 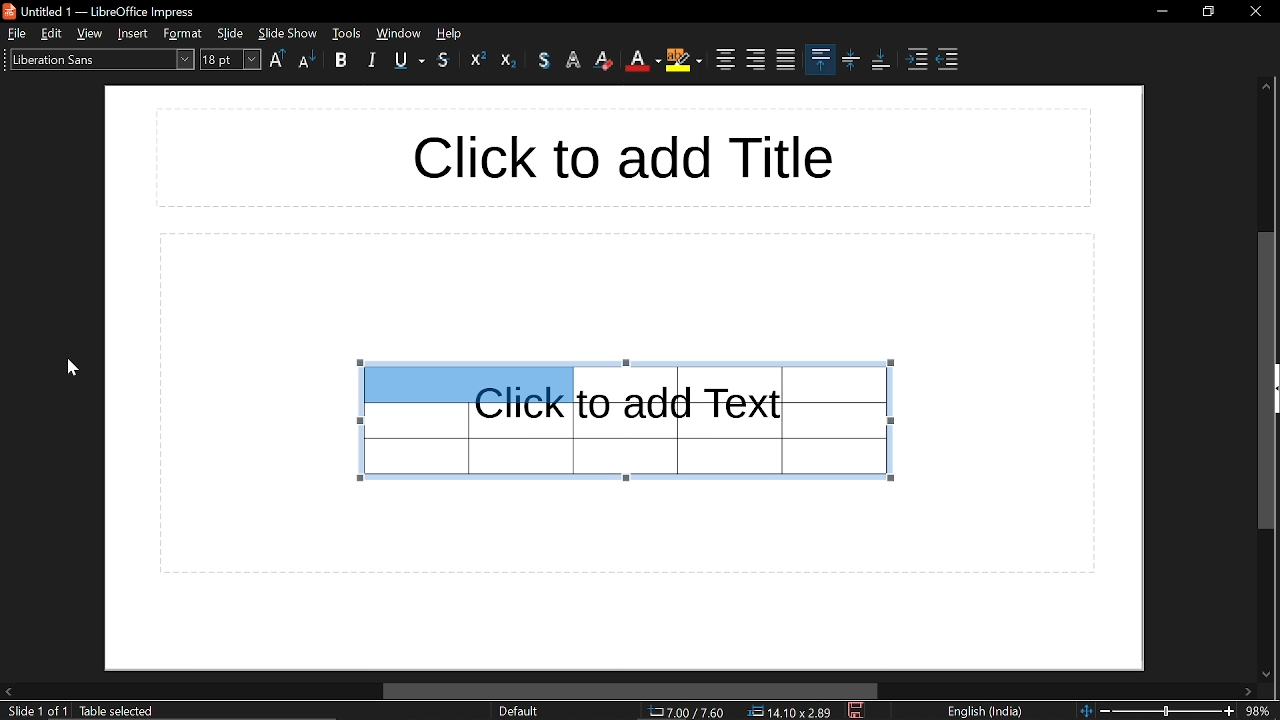 What do you see at coordinates (683, 62) in the screenshot?
I see `highlight` at bounding box center [683, 62].